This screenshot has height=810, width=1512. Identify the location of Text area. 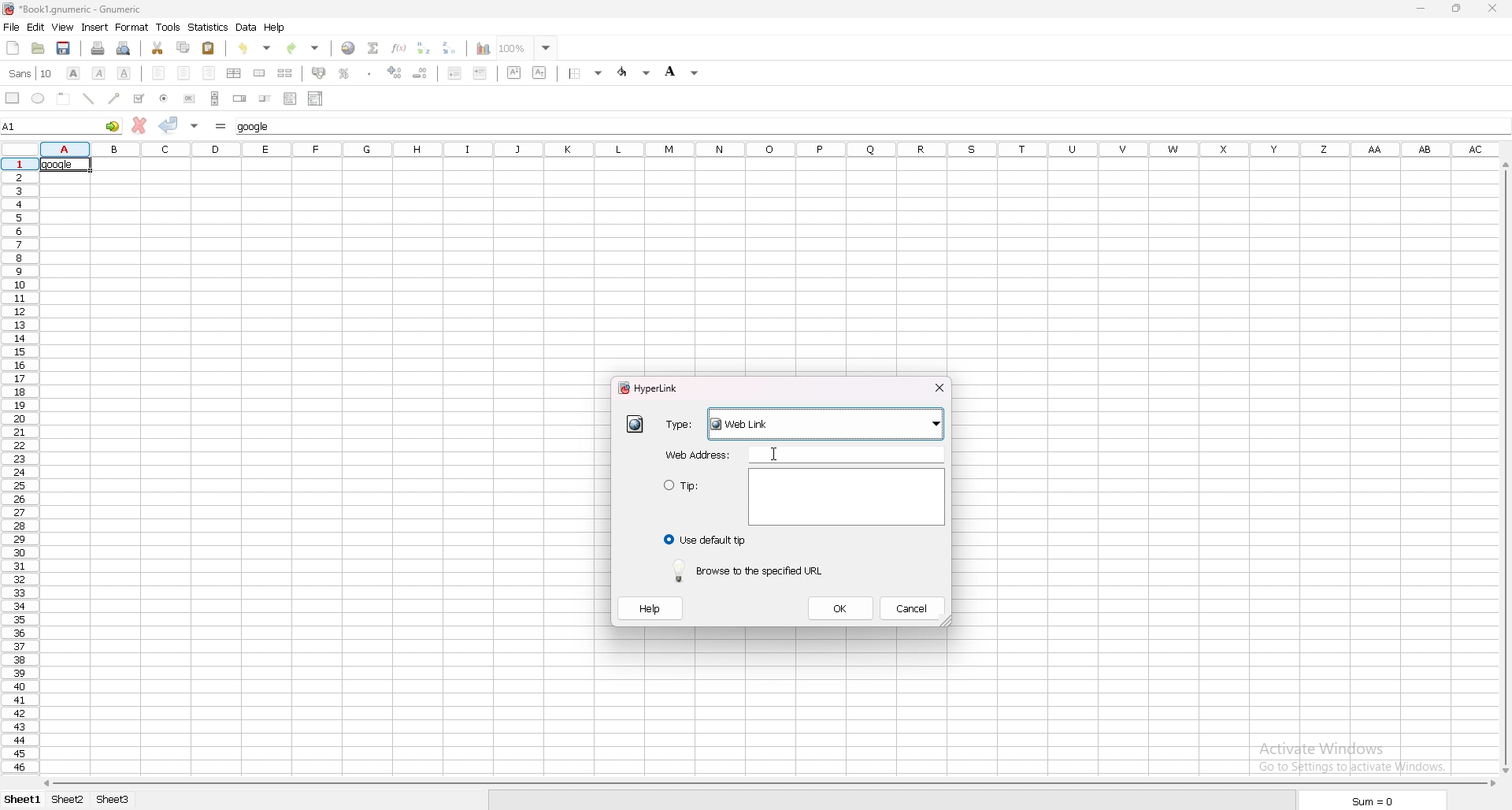
(850, 499).